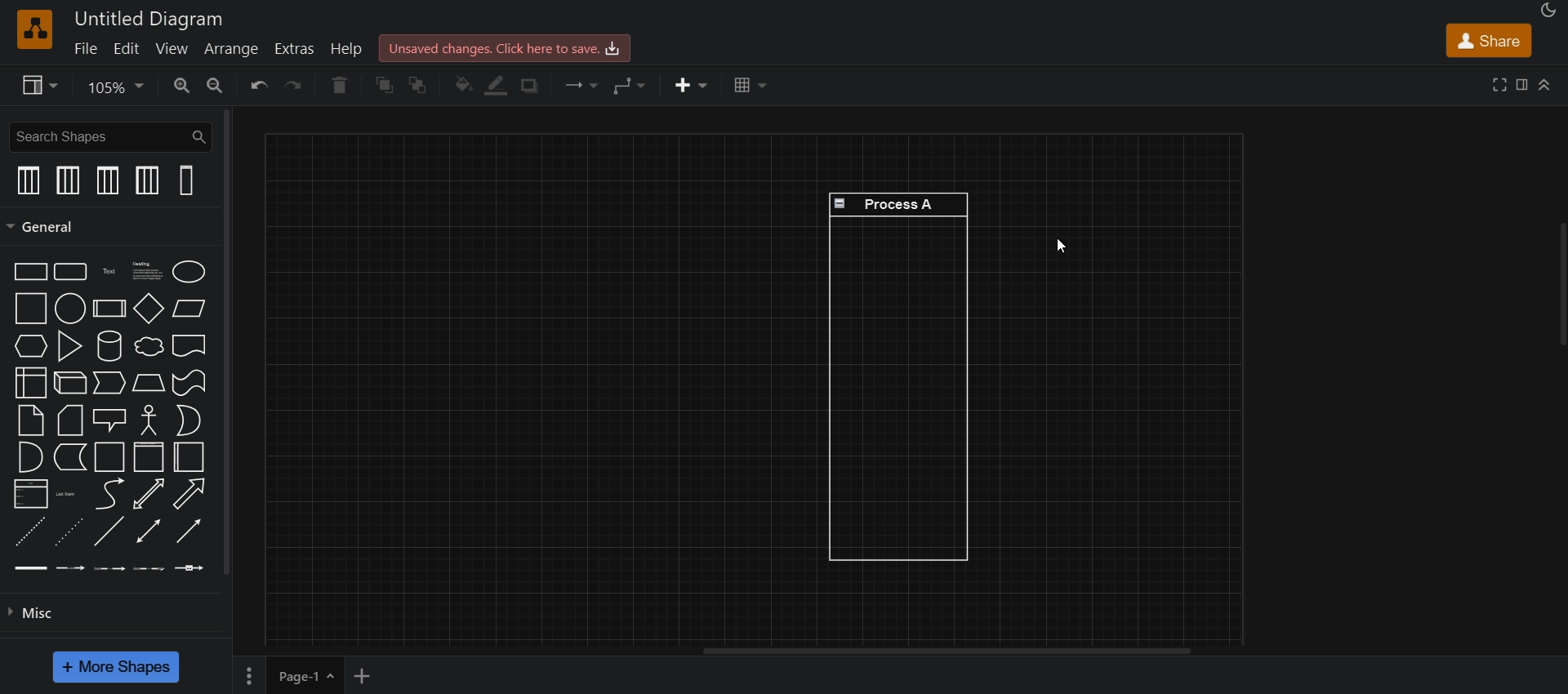  I want to click on arrange, so click(229, 47).